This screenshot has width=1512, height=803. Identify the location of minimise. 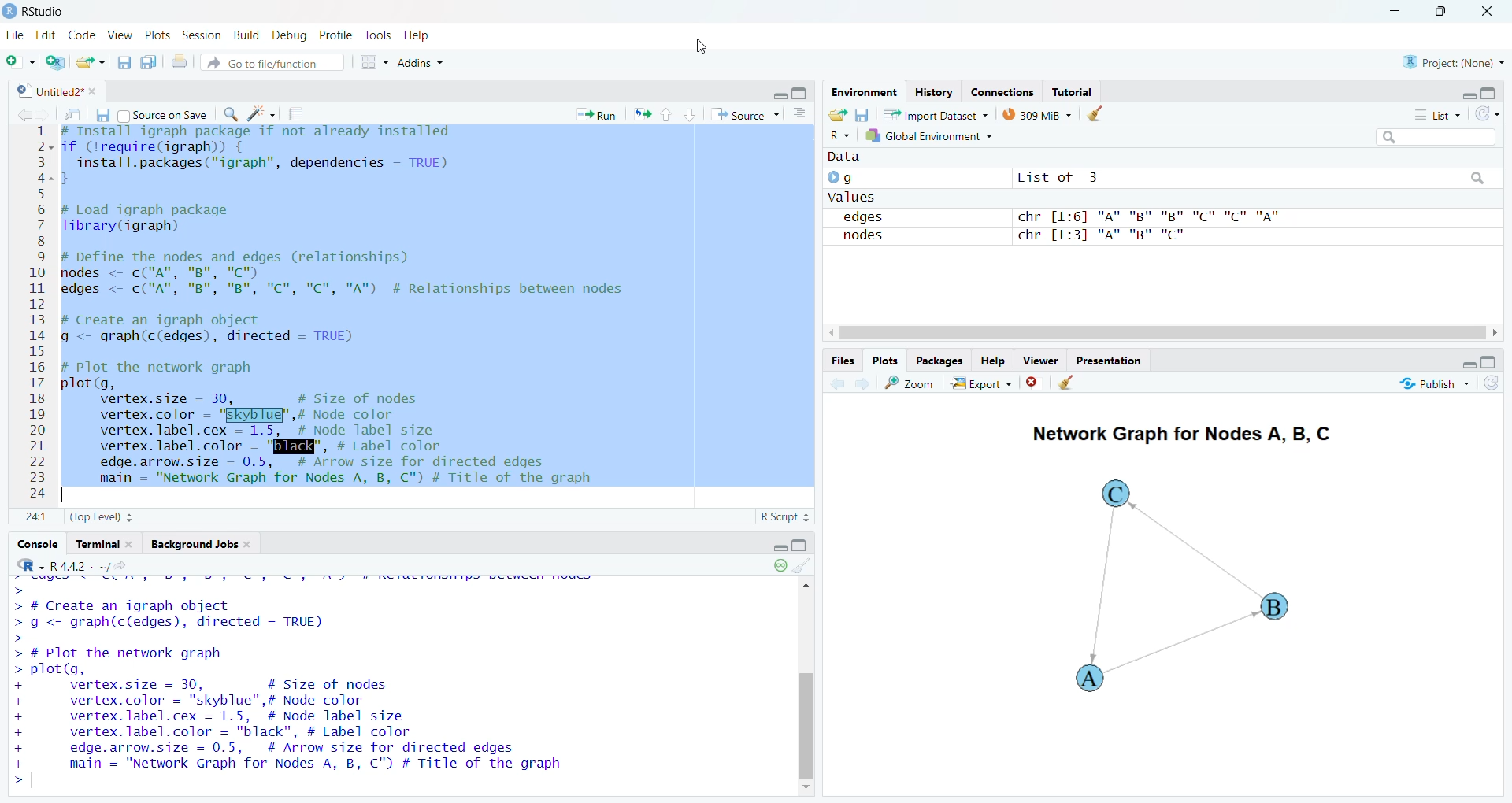
(1463, 93).